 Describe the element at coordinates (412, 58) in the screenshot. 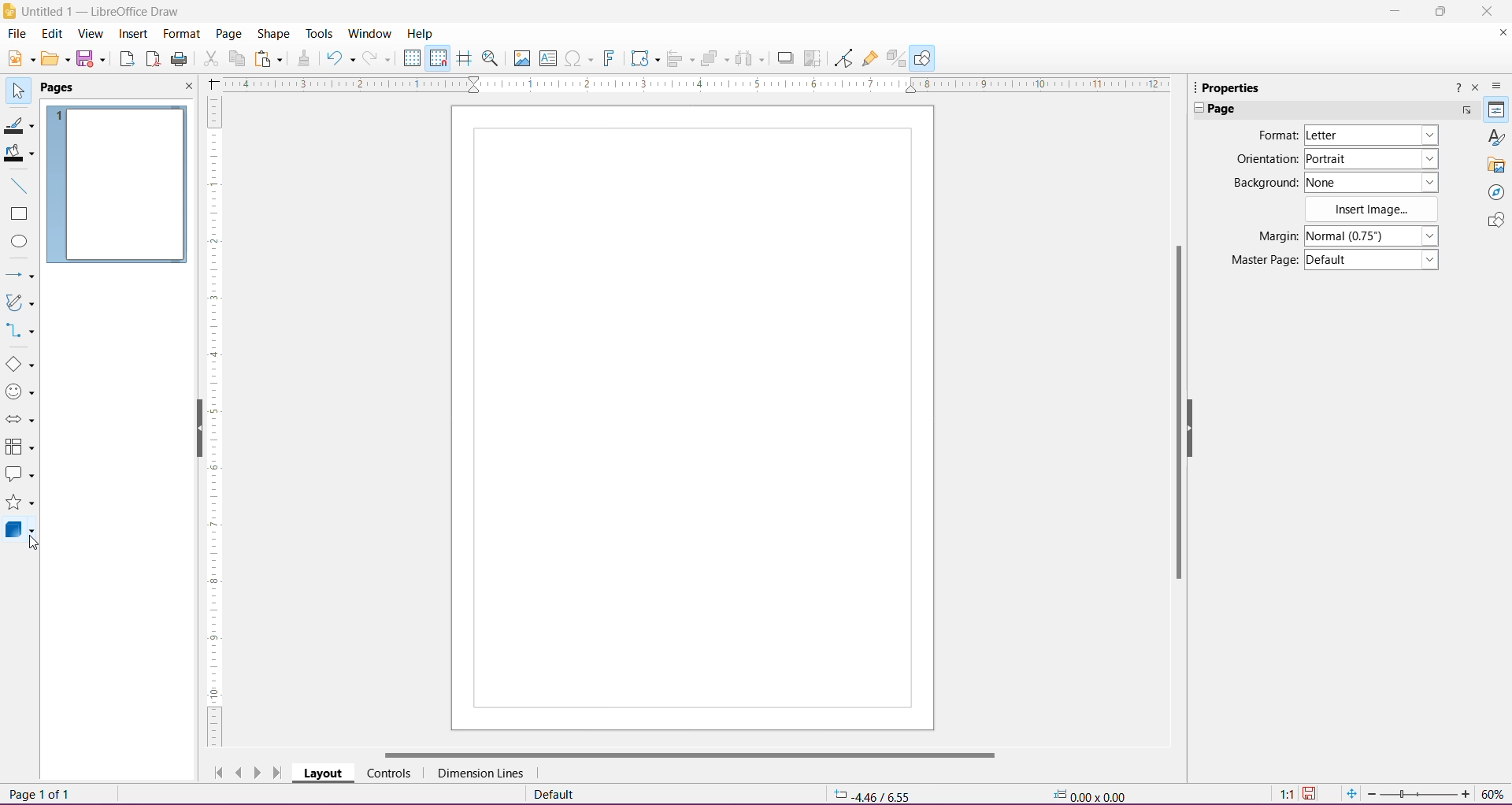

I see `Display Grid` at that location.